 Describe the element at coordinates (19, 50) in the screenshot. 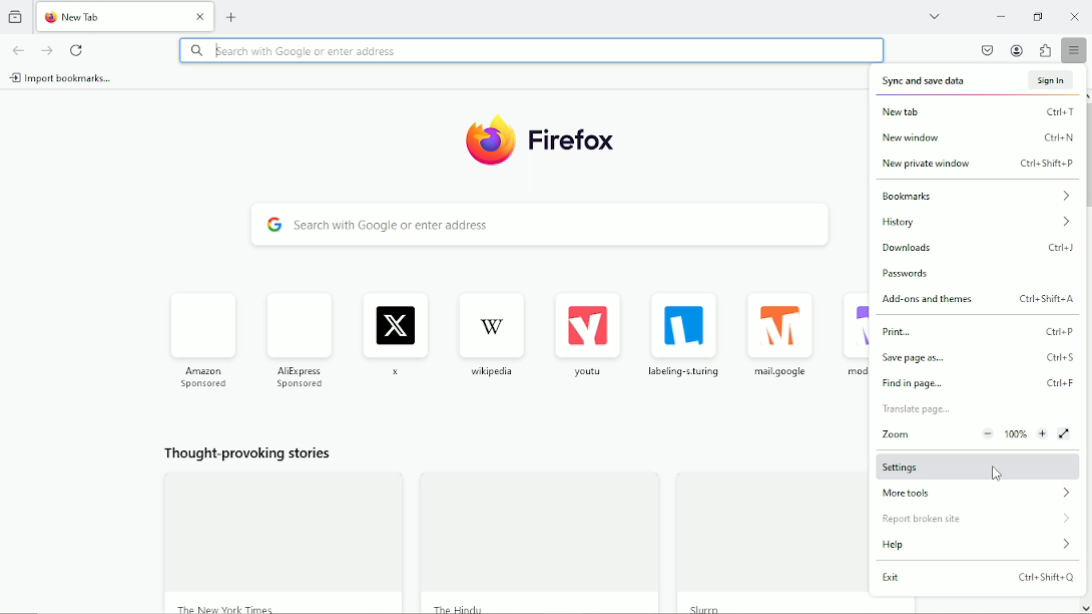

I see `go back` at that location.